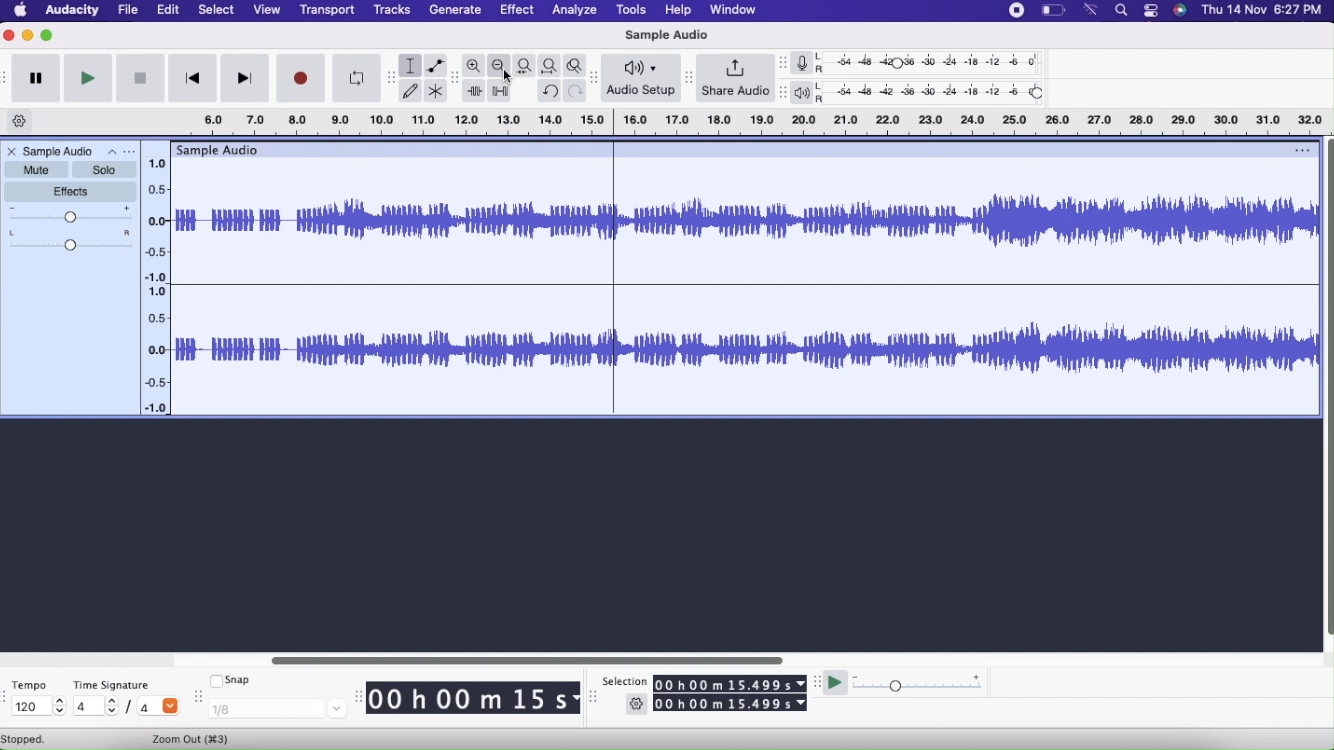  I want to click on Playback speed, so click(917, 682).